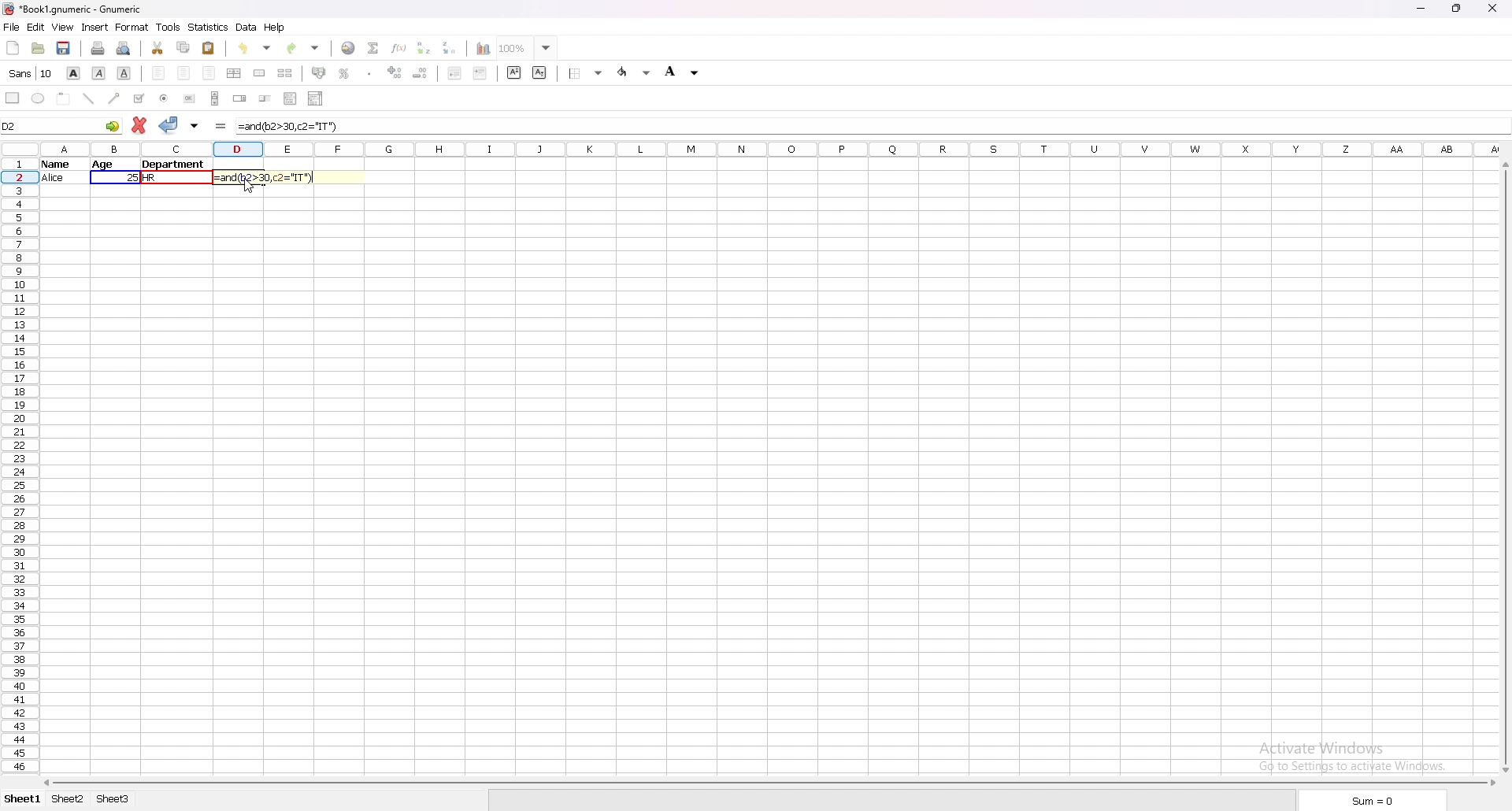  I want to click on sort ascending, so click(424, 48).